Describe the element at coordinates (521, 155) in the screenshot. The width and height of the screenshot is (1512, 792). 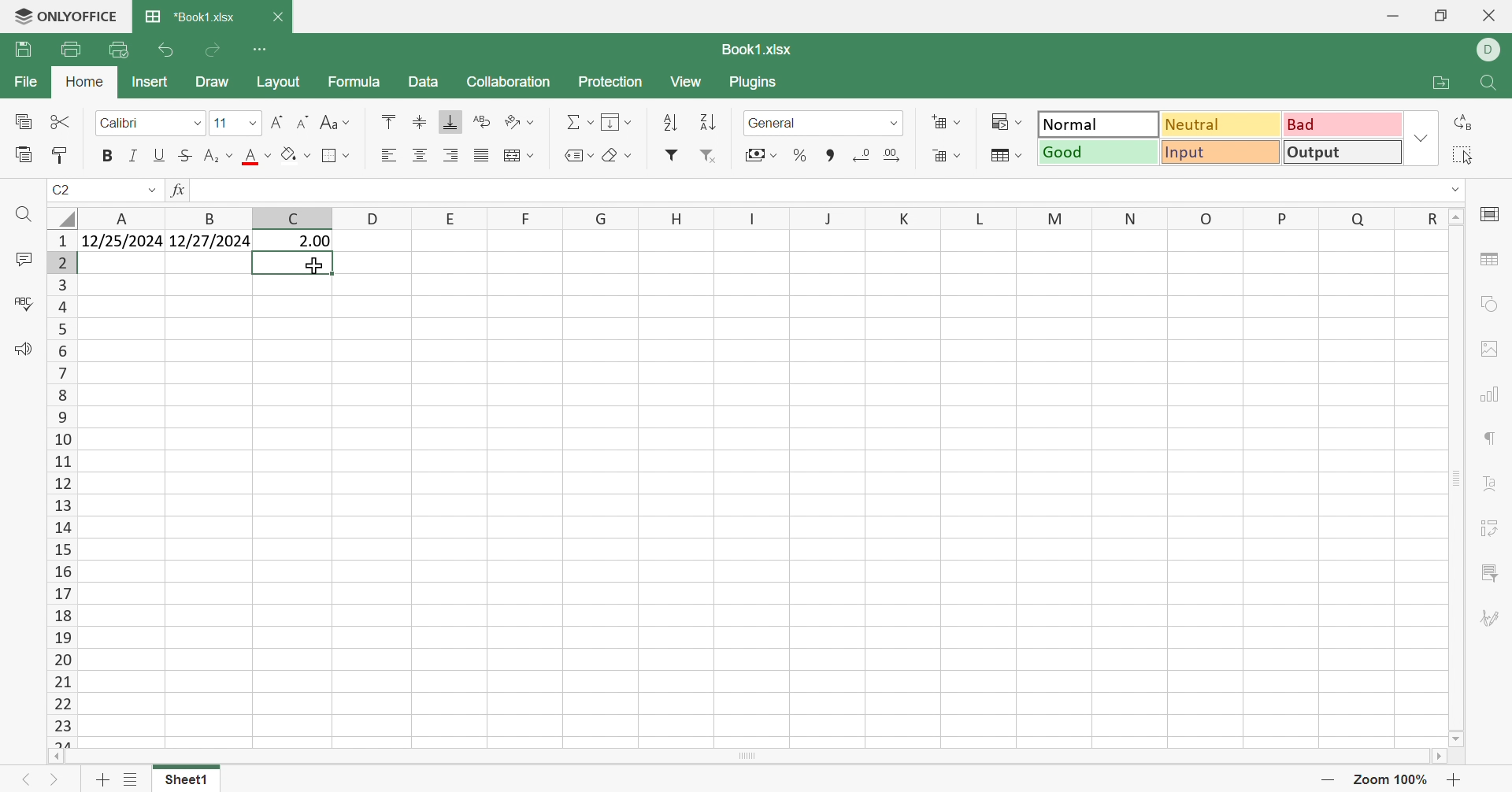
I see `Merge and center` at that location.